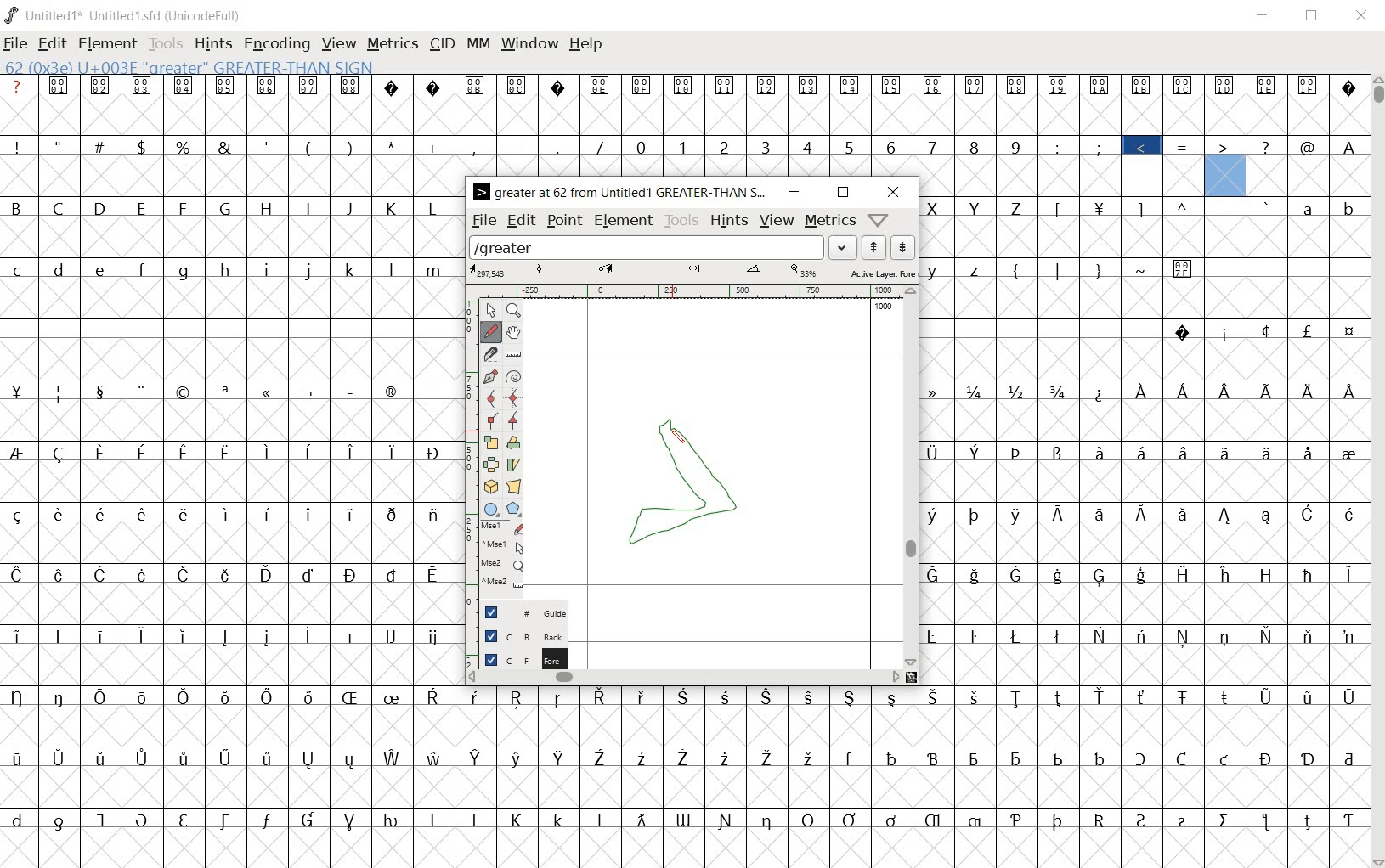 This screenshot has width=1385, height=868. What do you see at coordinates (1225, 166) in the screenshot?
I see `greater than` at bounding box center [1225, 166].